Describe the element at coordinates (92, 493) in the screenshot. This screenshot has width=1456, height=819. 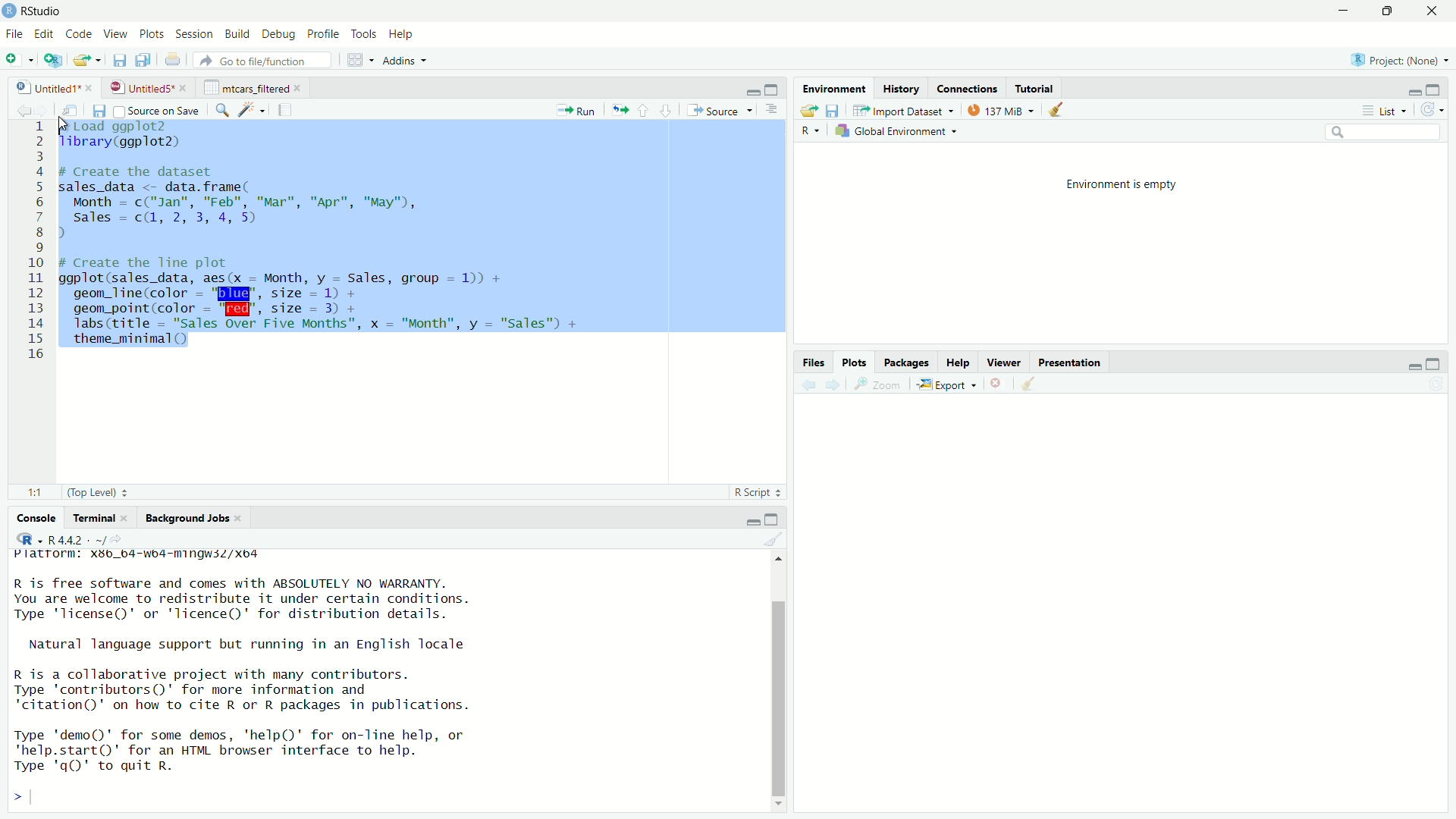
I see `(top leave)` at that location.